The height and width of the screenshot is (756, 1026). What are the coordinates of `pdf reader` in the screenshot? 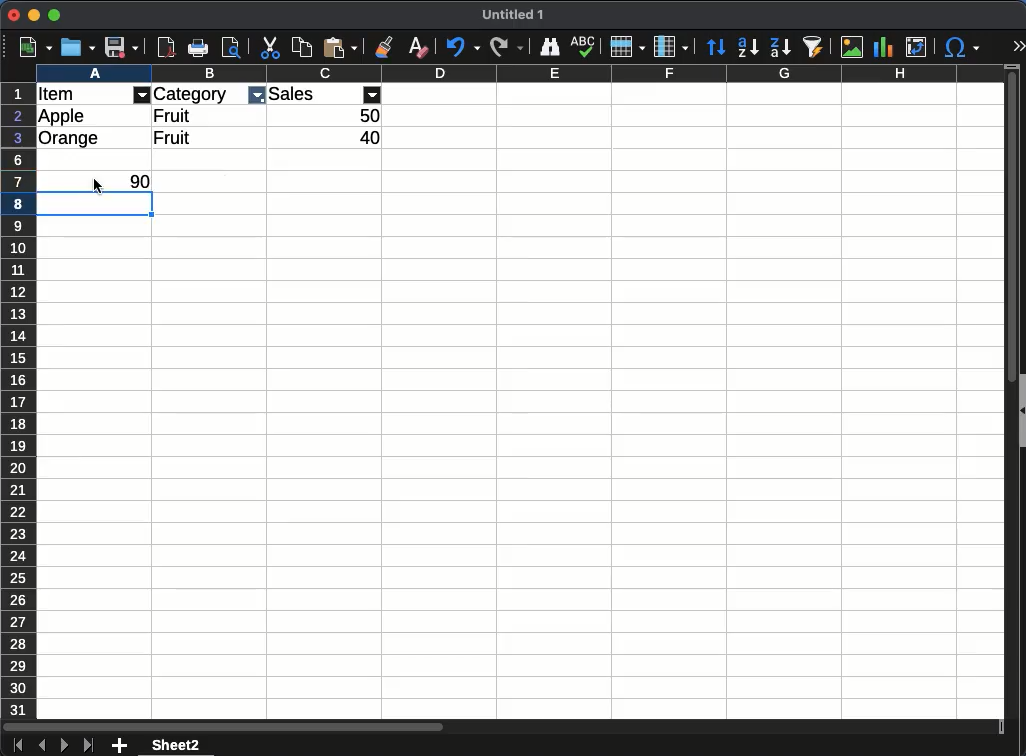 It's located at (166, 48).